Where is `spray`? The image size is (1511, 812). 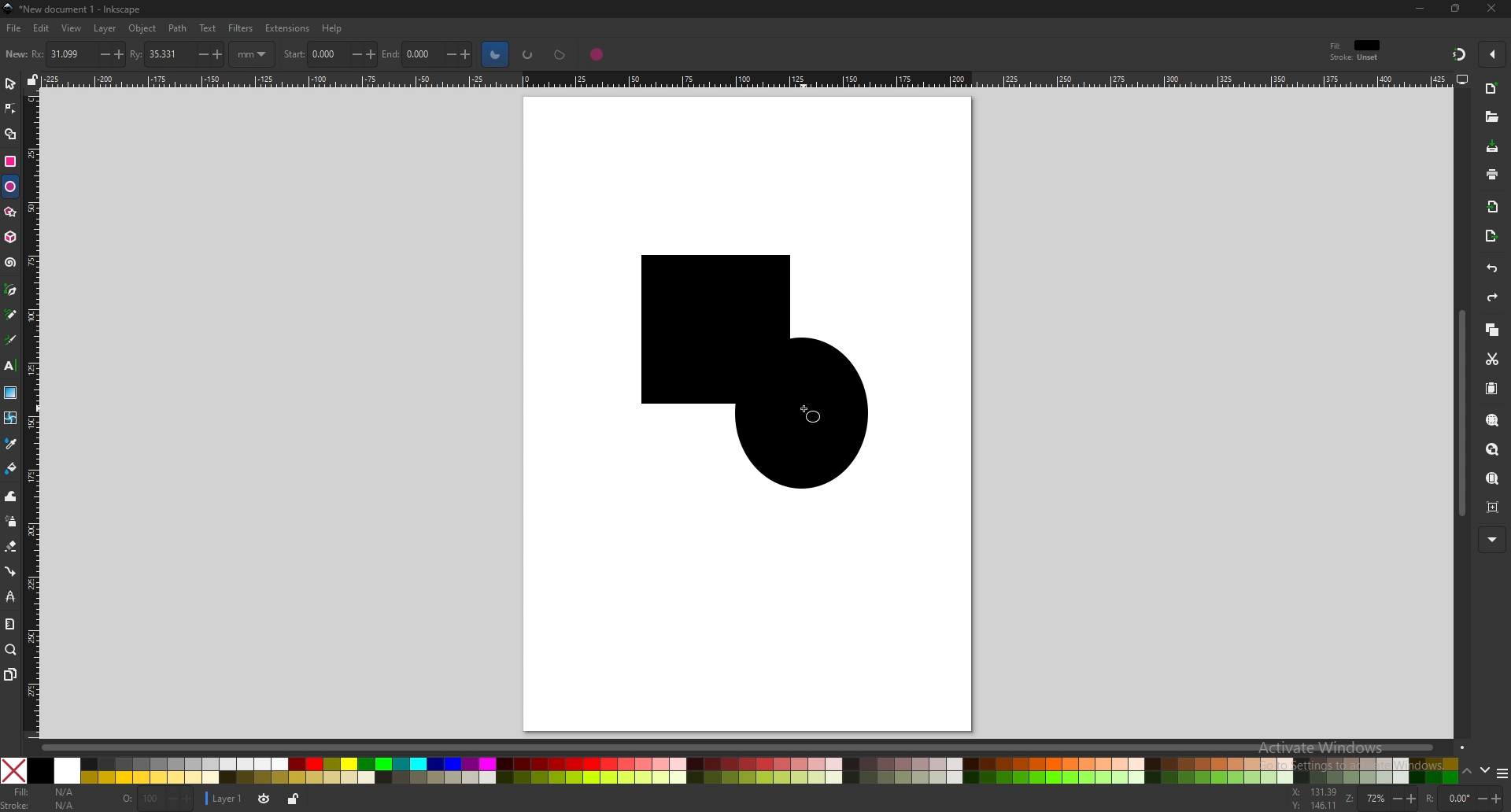
spray is located at coordinates (10, 522).